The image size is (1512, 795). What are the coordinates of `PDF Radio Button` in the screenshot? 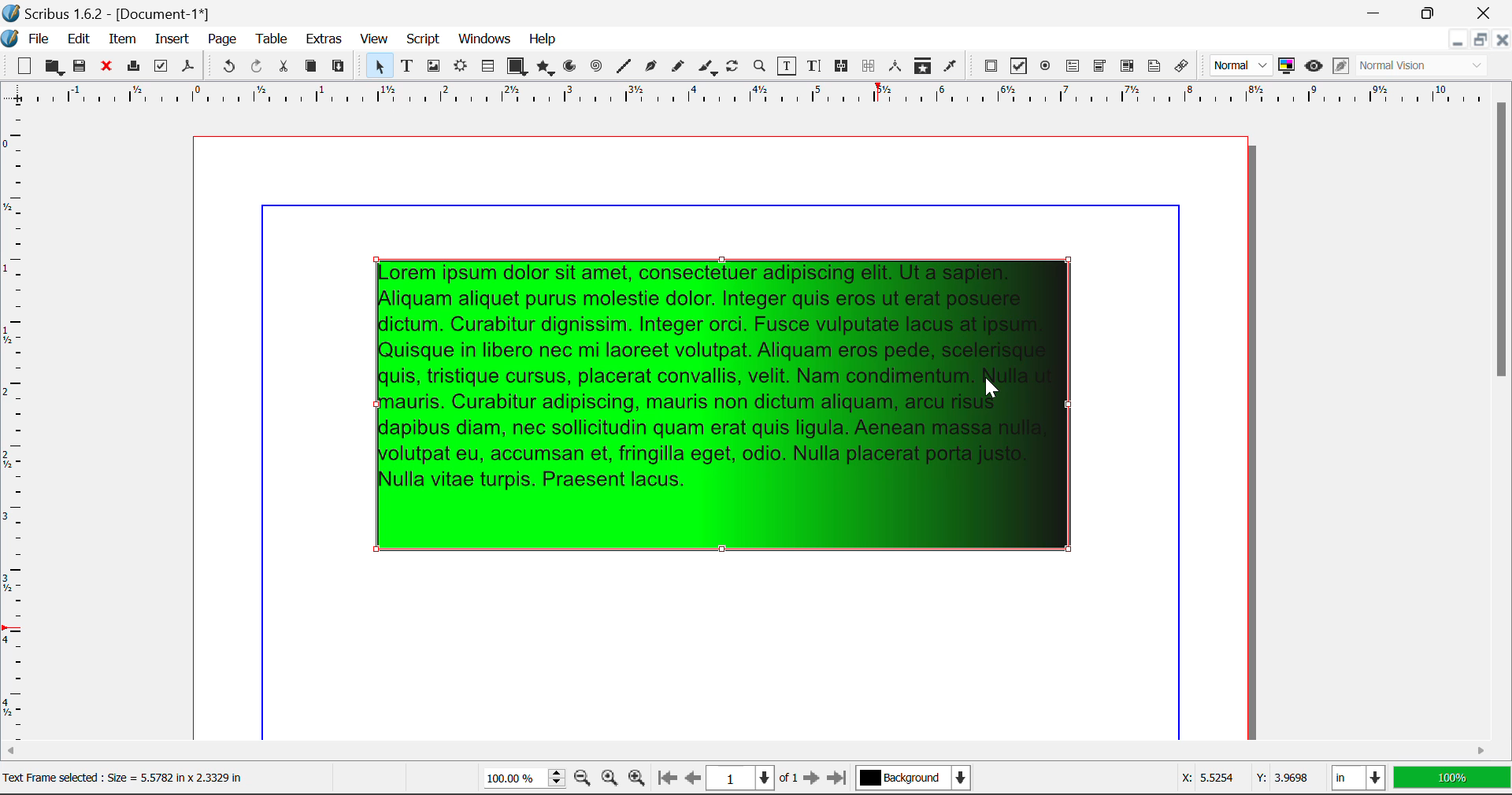 It's located at (1045, 68).